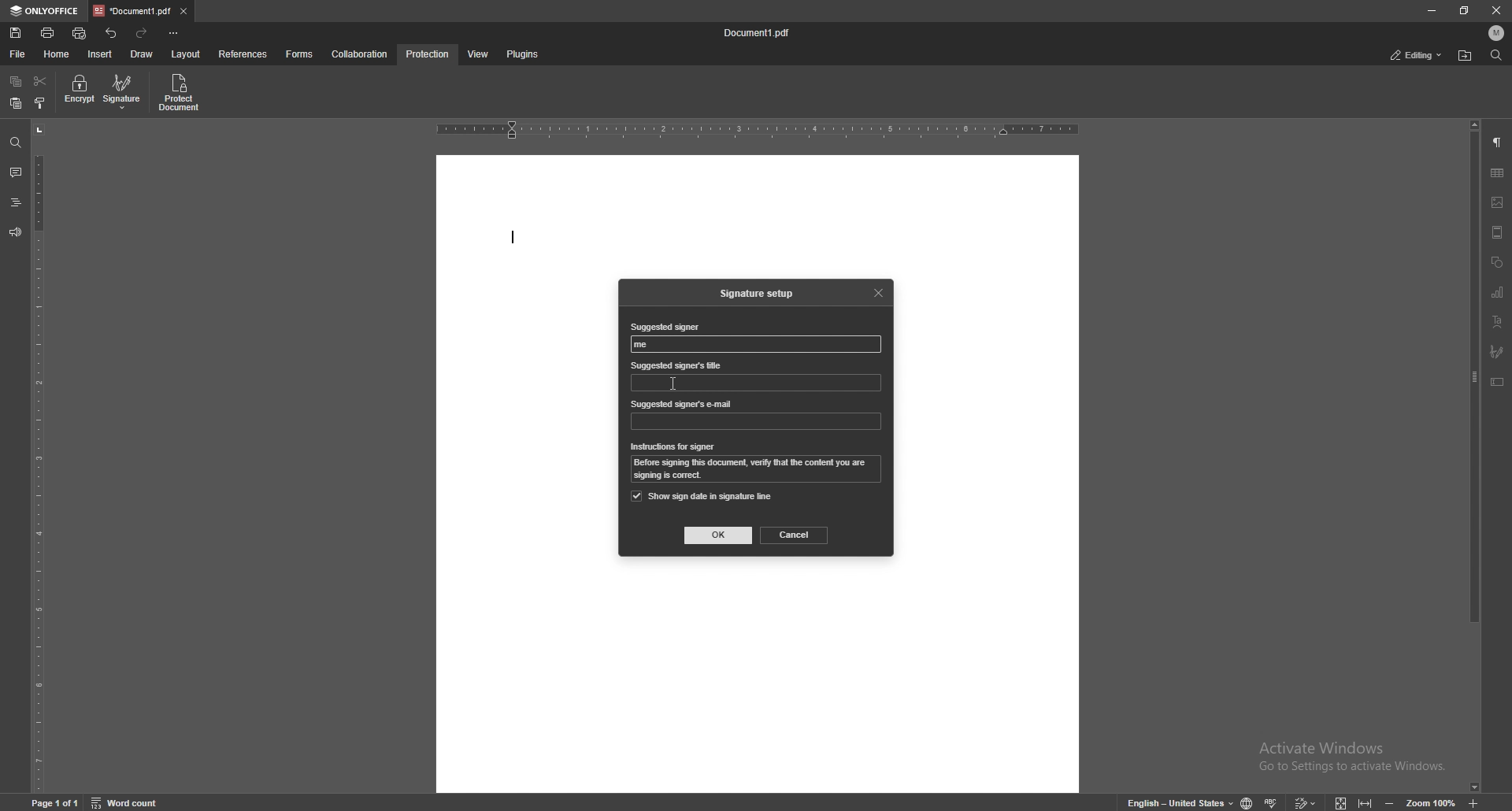 This screenshot has height=811, width=1512. Describe the element at coordinates (1465, 57) in the screenshot. I see `locate file` at that location.